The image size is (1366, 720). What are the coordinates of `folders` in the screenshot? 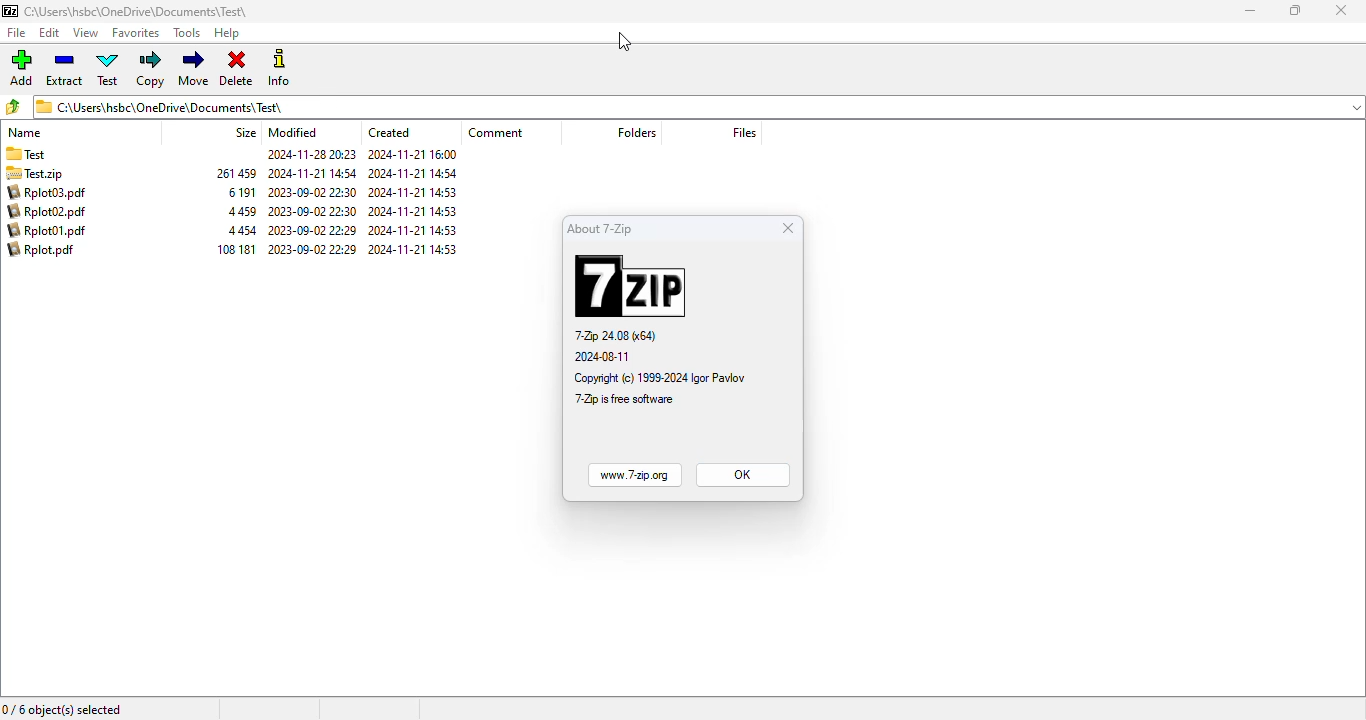 It's located at (635, 132).